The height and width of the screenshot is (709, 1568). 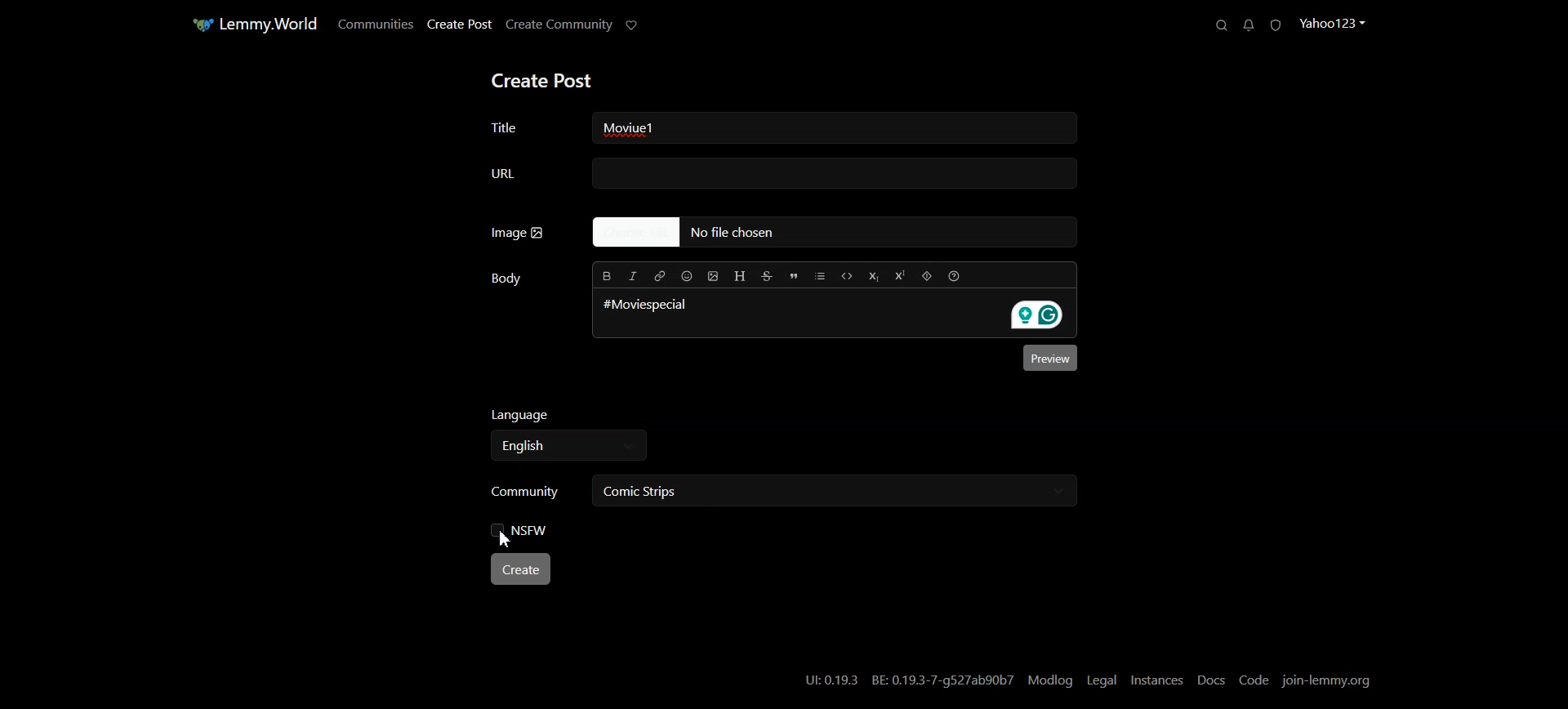 What do you see at coordinates (568, 447) in the screenshot?
I see `Select language` at bounding box center [568, 447].